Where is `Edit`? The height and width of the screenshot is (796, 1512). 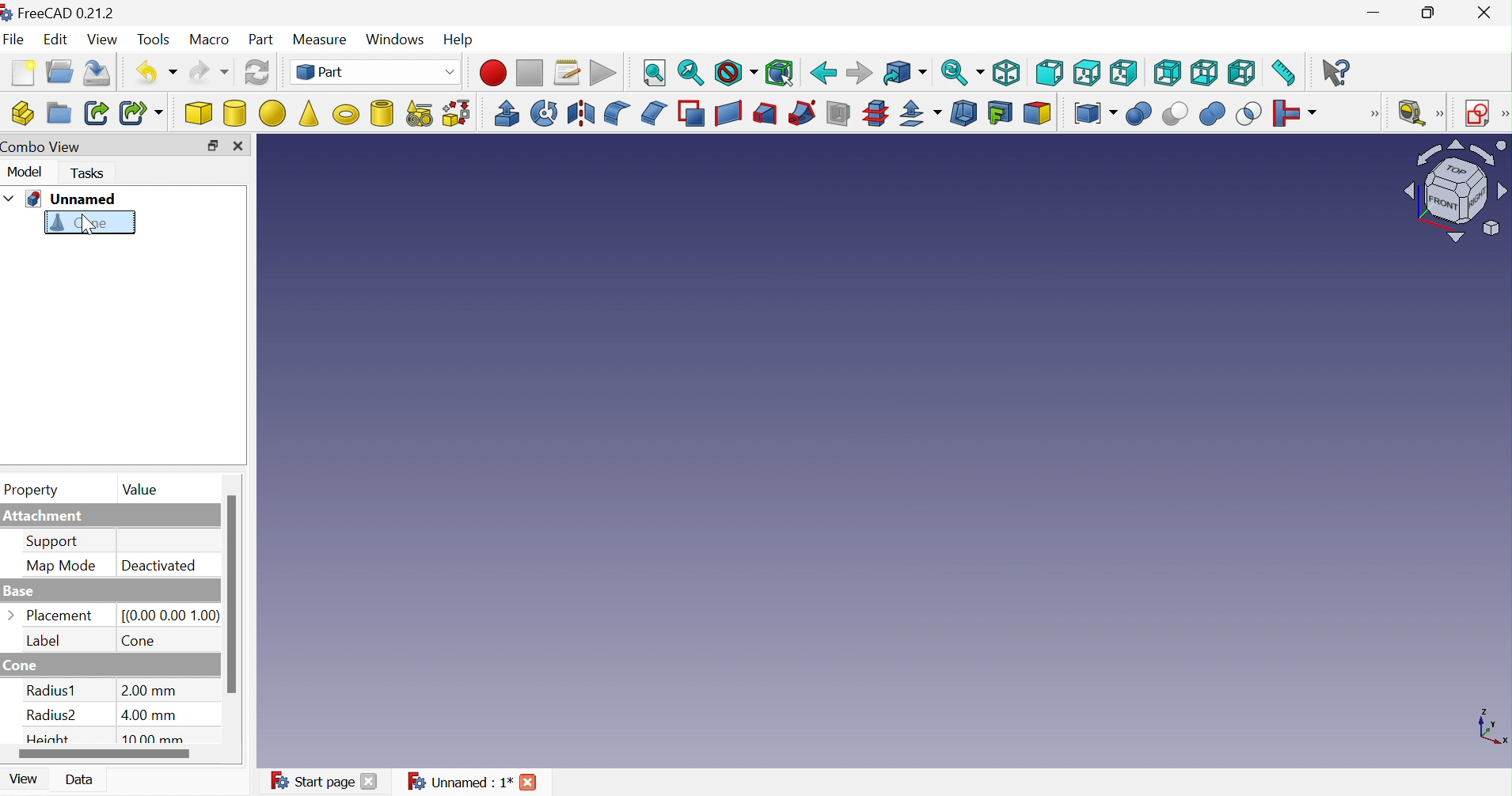
Edit is located at coordinates (56, 40).